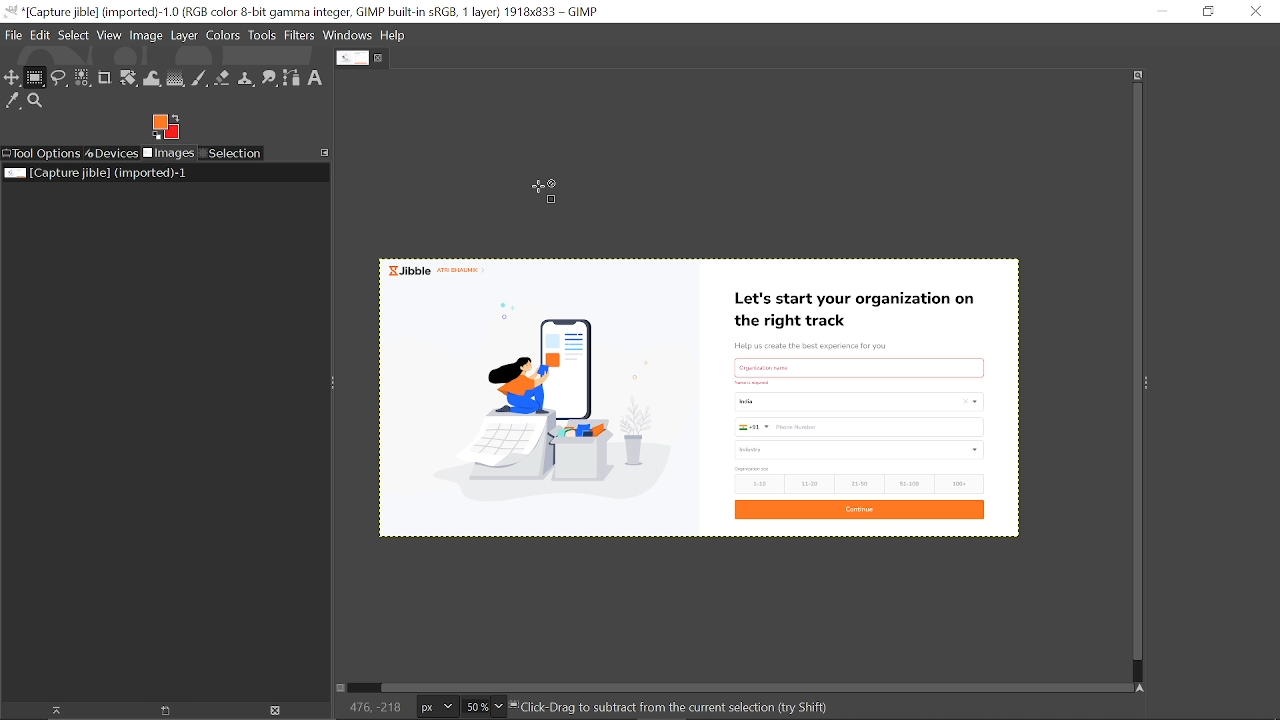 This screenshot has height=720, width=1280. What do you see at coordinates (344, 689) in the screenshot?
I see `Toggle quick mask on/off` at bounding box center [344, 689].